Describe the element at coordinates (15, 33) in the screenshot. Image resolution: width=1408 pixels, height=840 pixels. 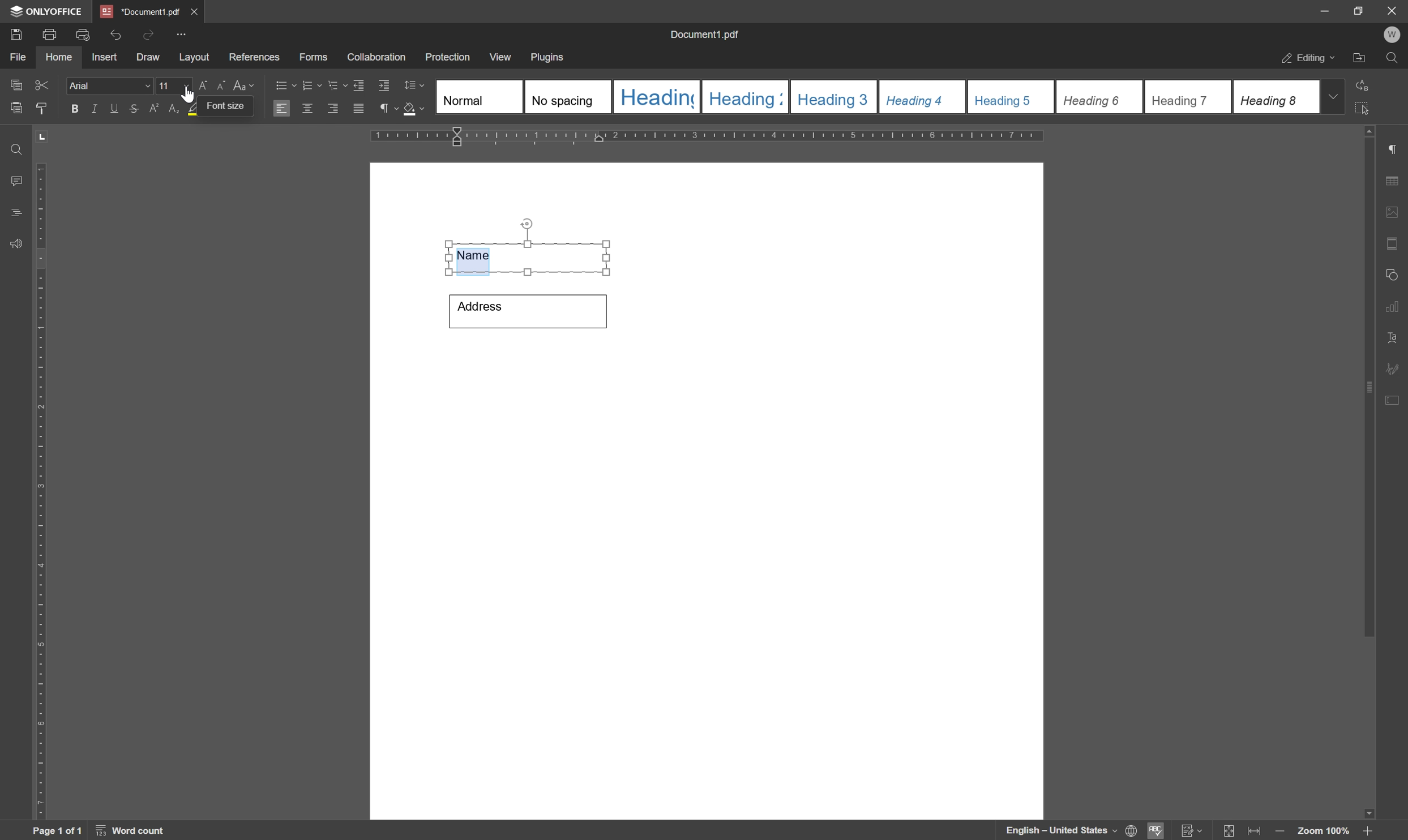
I see `save` at that location.